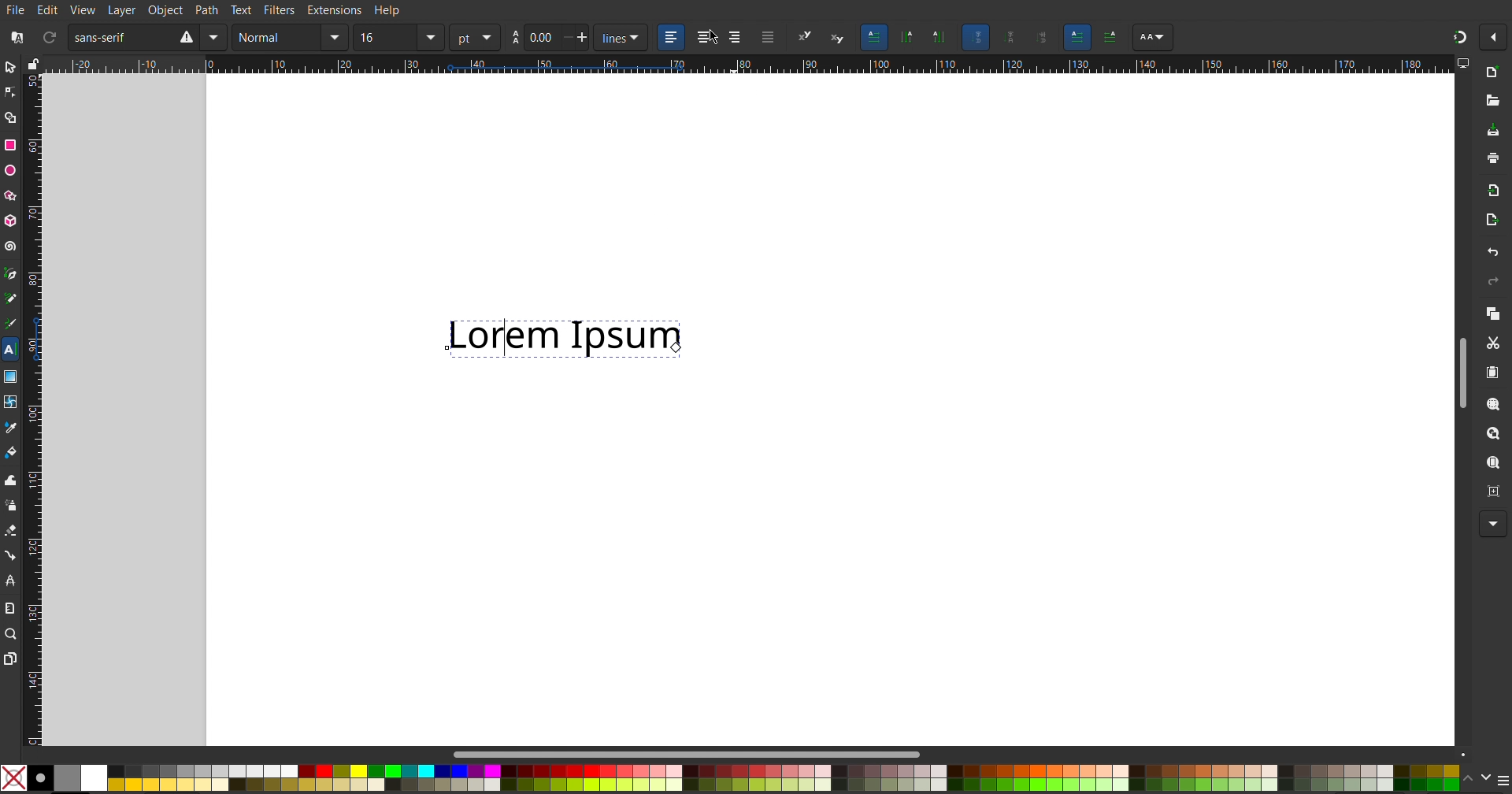 This screenshot has width=1512, height=794. What do you see at coordinates (14, 66) in the screenshot?
I see `Select` at bounding box center [14, 66].